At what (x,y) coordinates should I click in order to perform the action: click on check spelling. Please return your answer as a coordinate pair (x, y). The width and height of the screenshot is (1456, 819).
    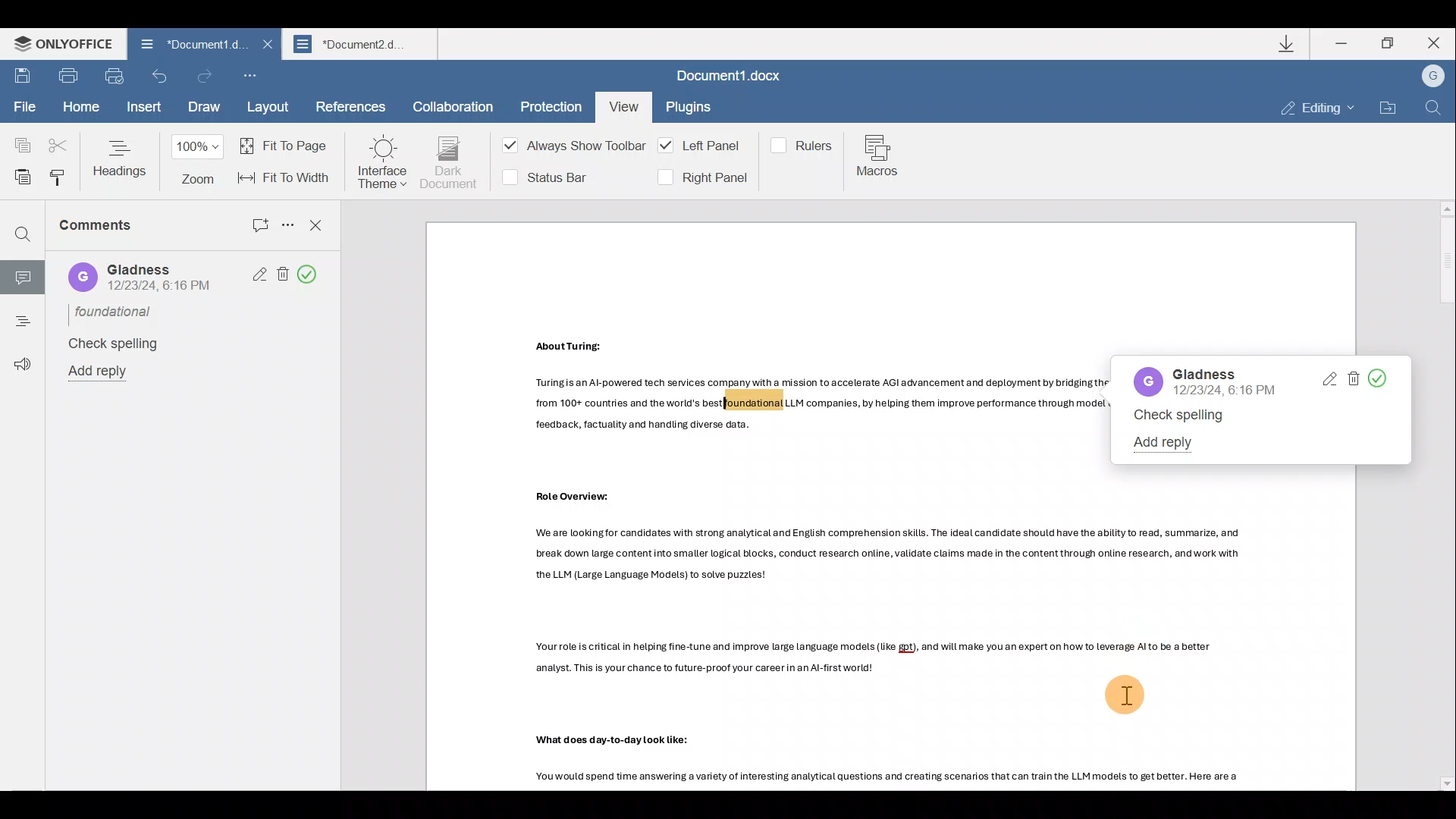
    Looking at the image, I should click on (1181, 416).